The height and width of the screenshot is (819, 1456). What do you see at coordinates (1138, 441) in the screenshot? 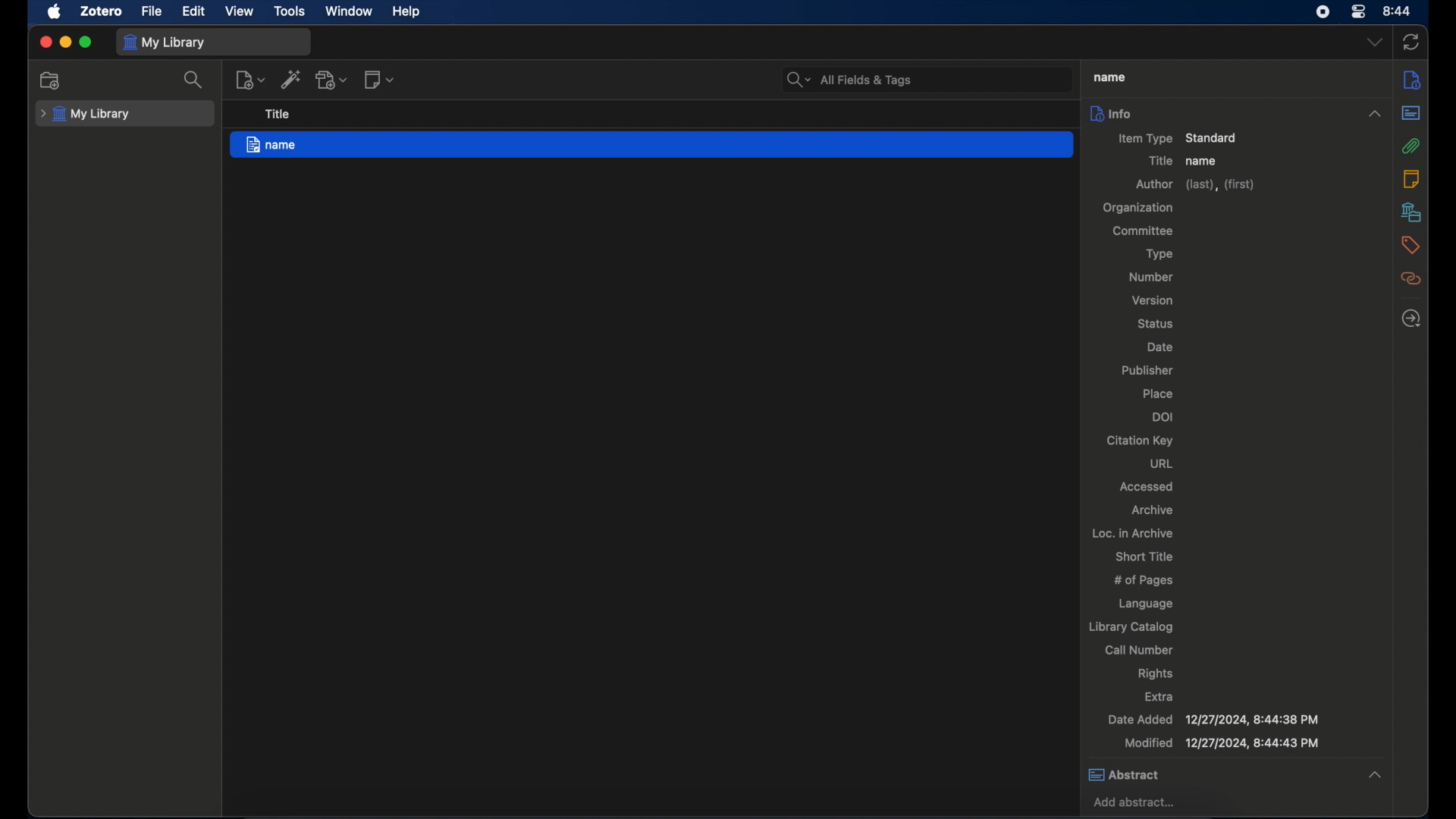
I see `citation key` at bounding box center [1138, 441].